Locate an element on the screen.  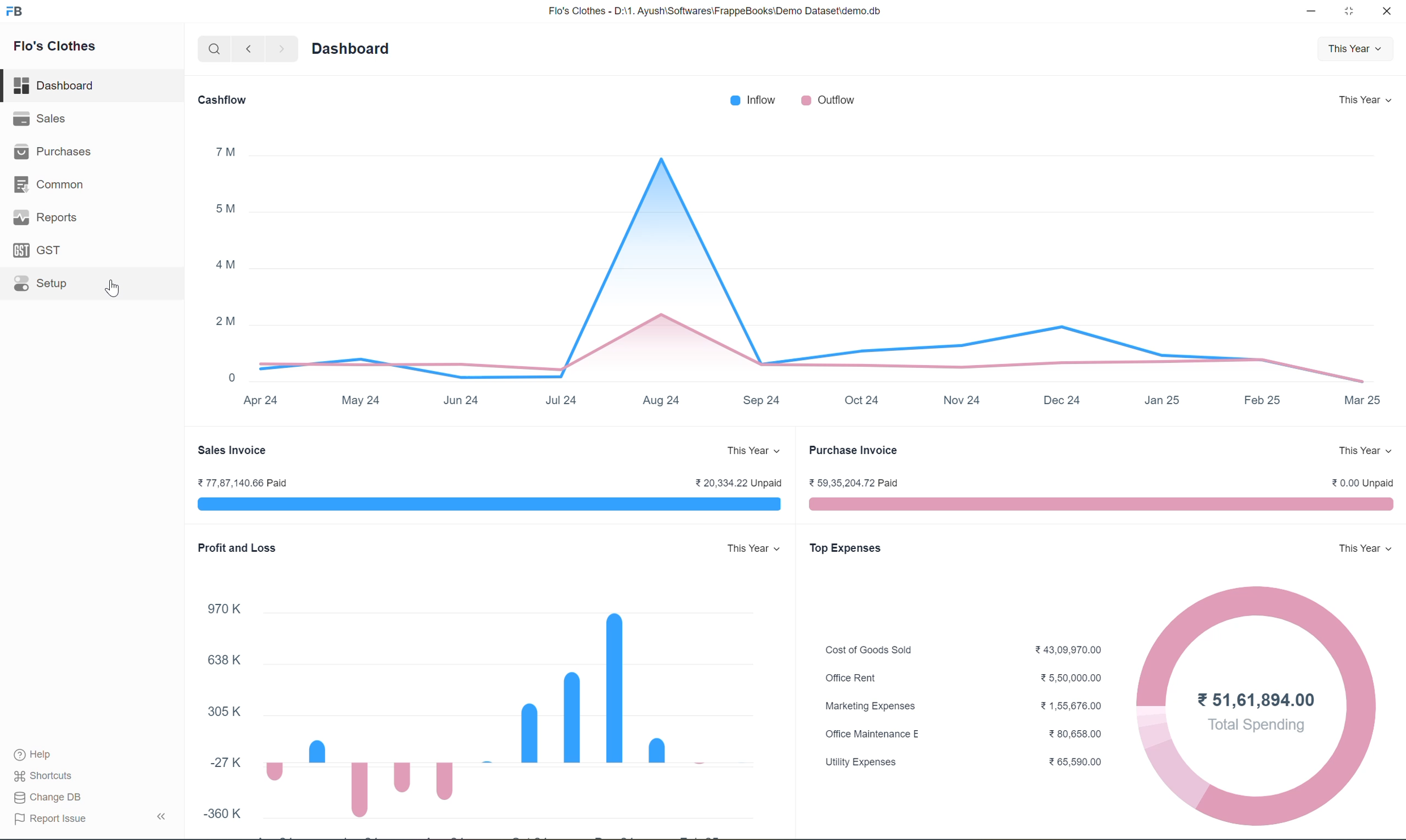
search is located at coordinates (216, 49).